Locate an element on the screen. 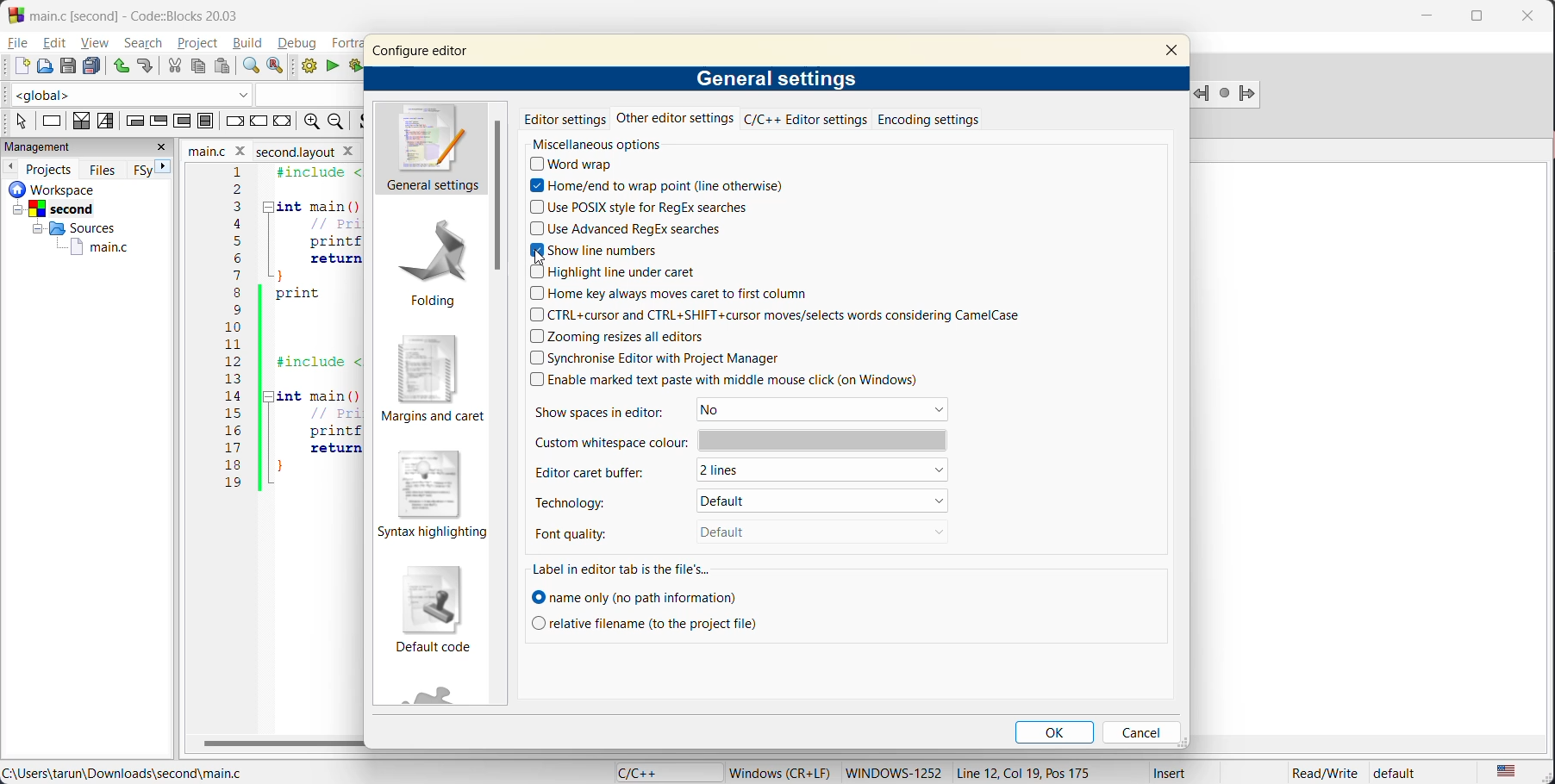 Image resolution: width=1555 pixels, height=784 pixels. default code is located at coordinates (435, 610).